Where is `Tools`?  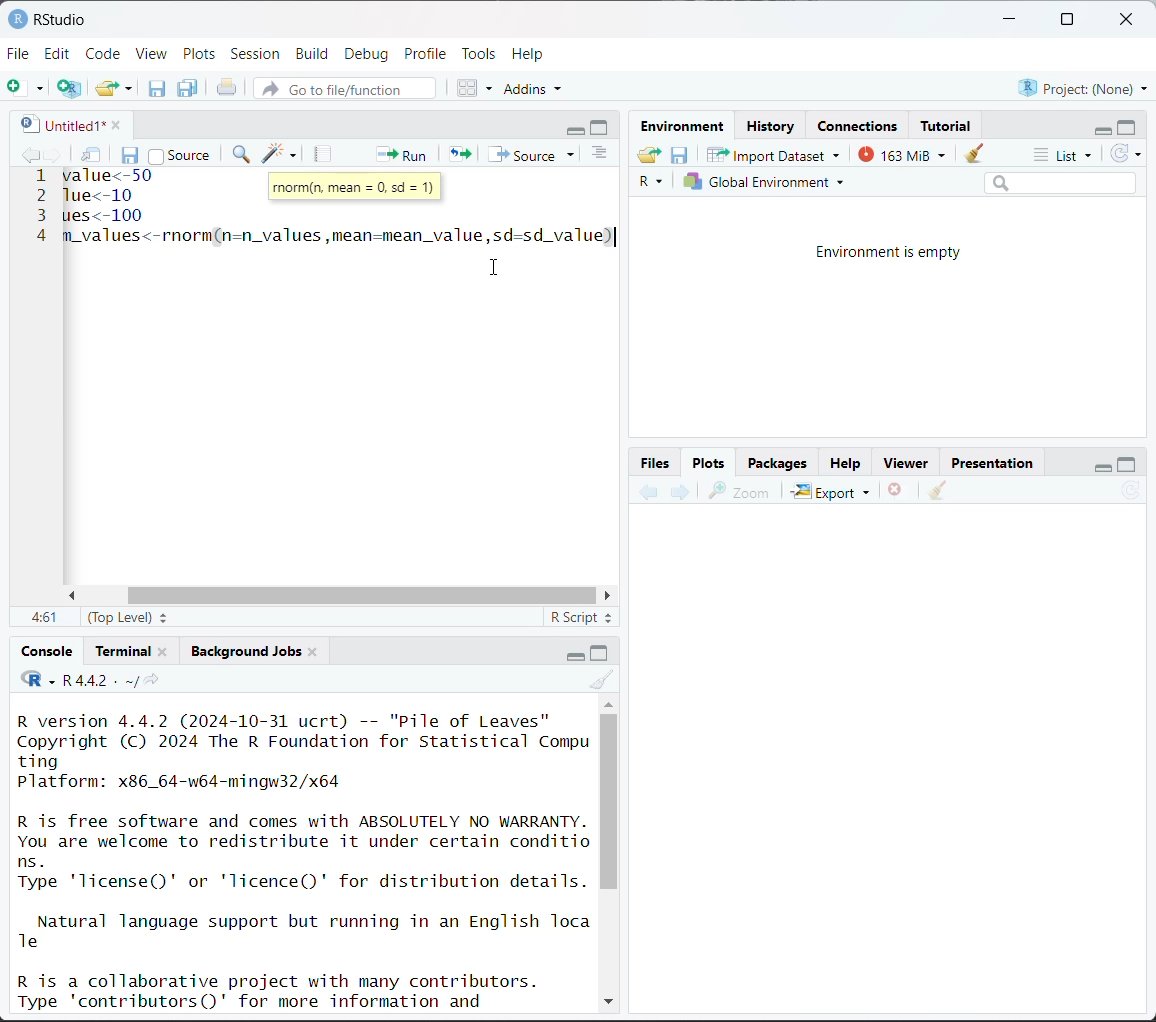
Tools is located at coordinates (479, 52).